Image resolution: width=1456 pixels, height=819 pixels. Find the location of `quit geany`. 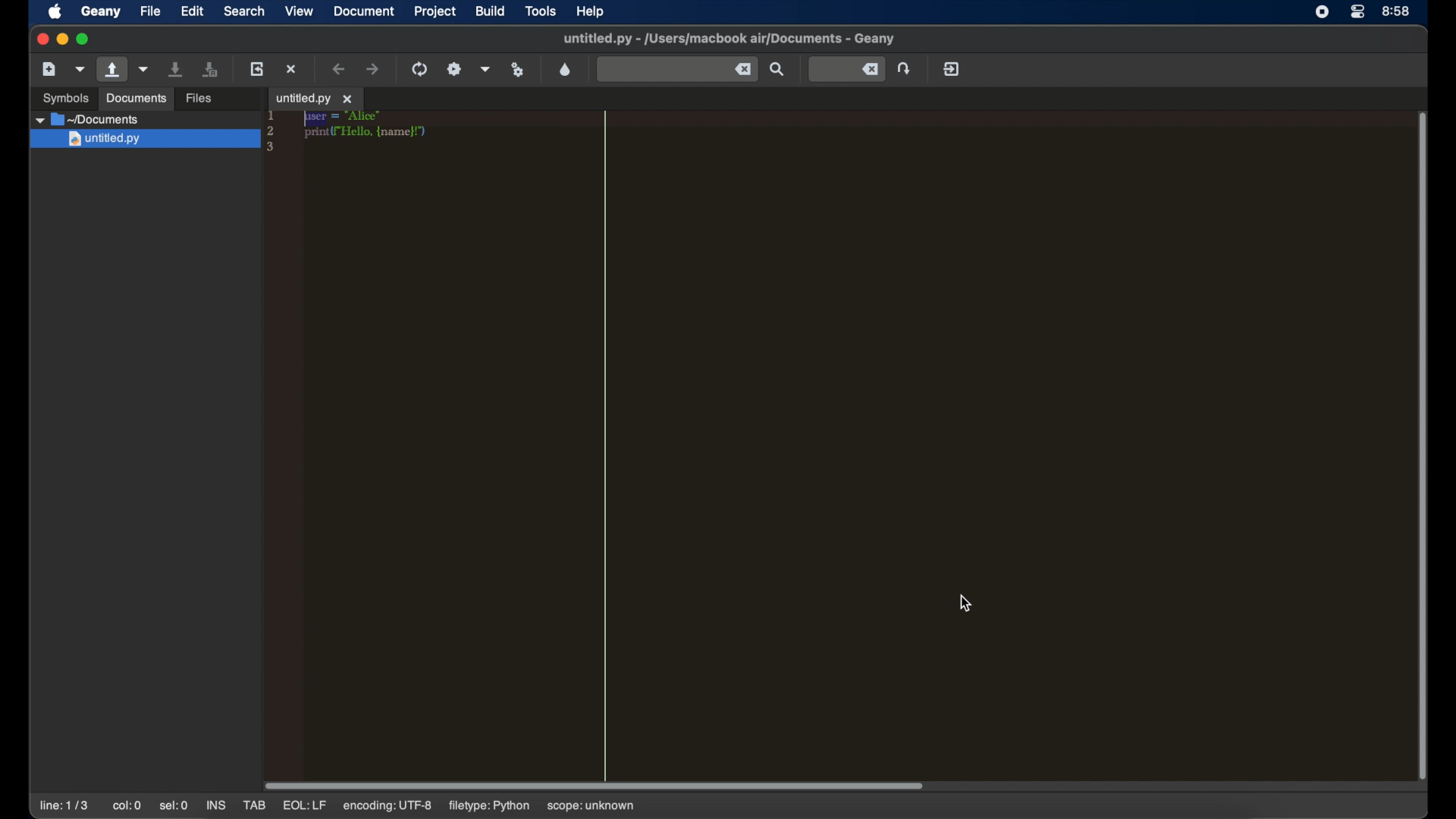

quit geany is located at coordinates (952, 68).